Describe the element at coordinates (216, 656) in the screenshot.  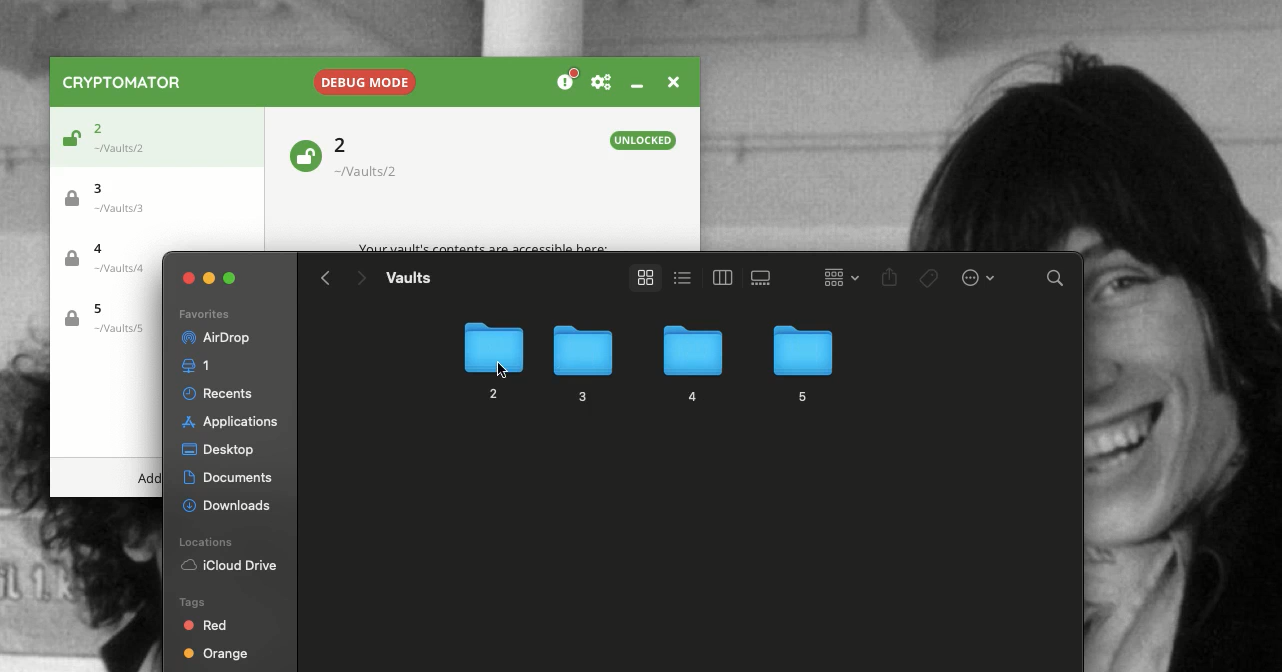
I see `Orange` at that location.